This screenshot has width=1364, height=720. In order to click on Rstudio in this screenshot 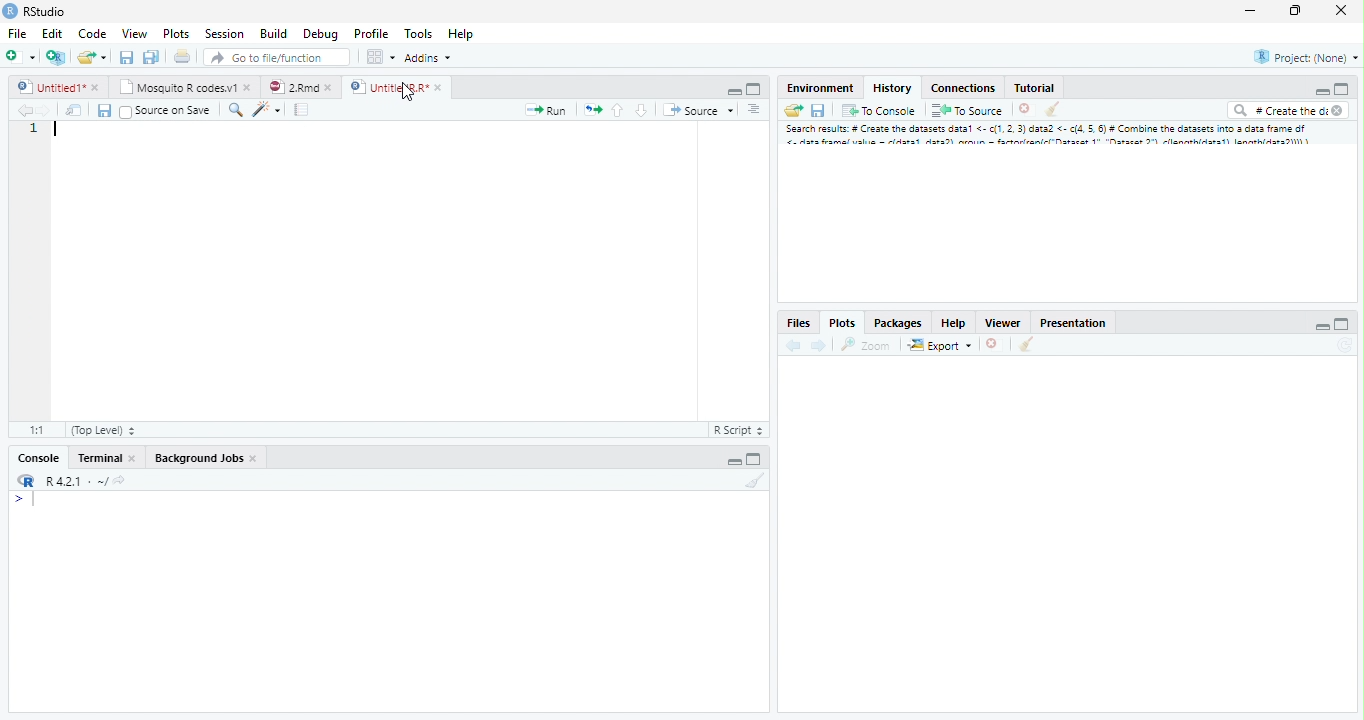, I will do `click(34, 10)`.